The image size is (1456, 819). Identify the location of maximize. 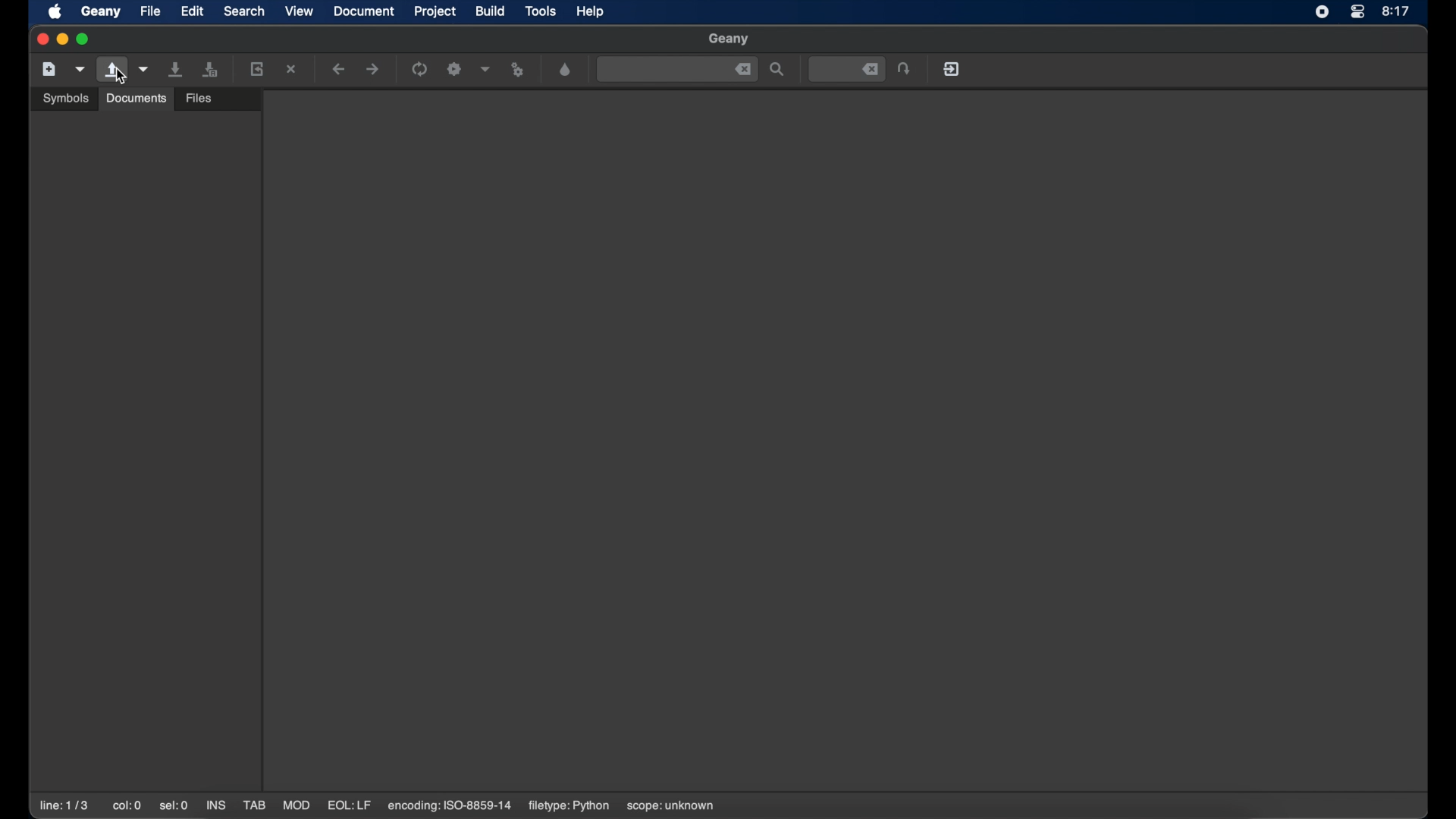
(85, 39).